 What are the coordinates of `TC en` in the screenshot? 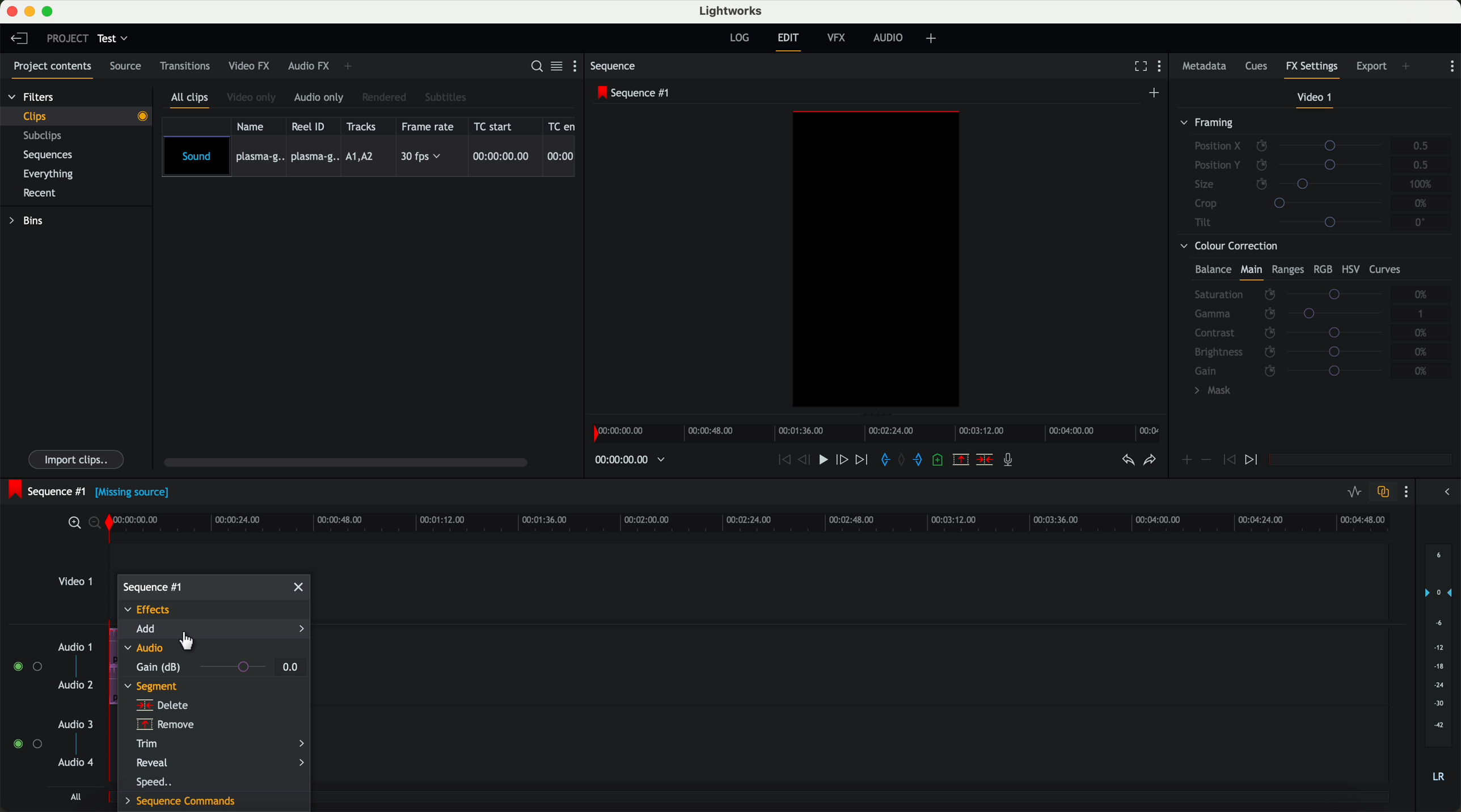 It's located at (562, 125).